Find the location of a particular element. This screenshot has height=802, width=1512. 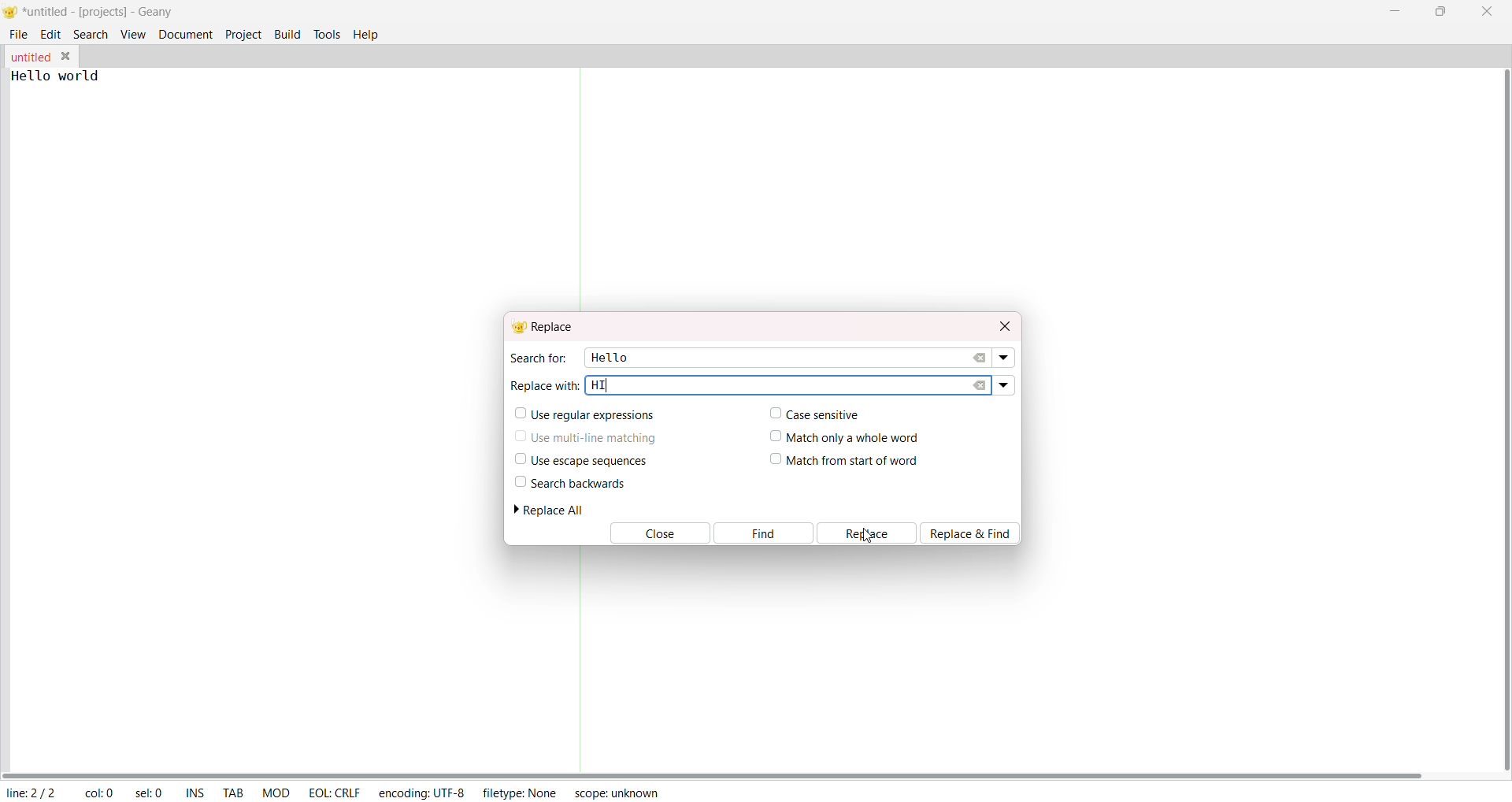

tab is located at coordinates (234, 794).